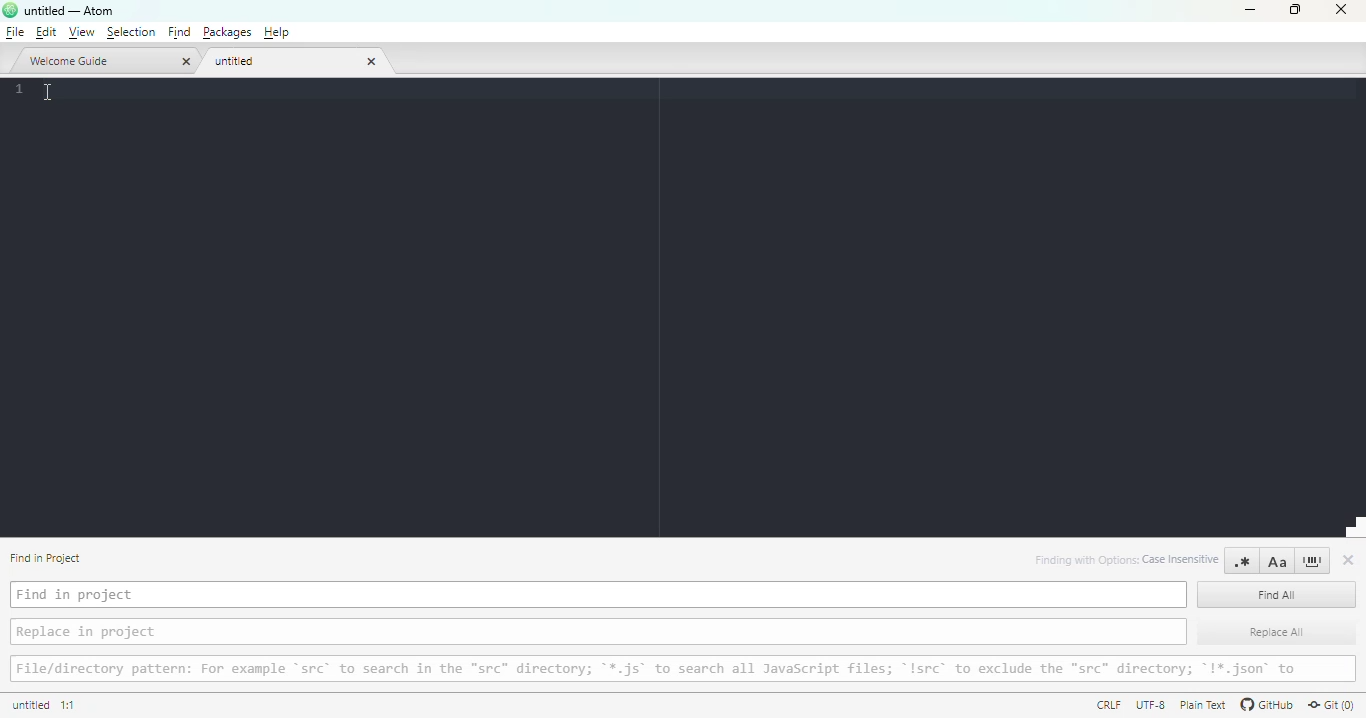  Describe the element at coordinates (81, 33) in the screenshot. I see `view` at that location.